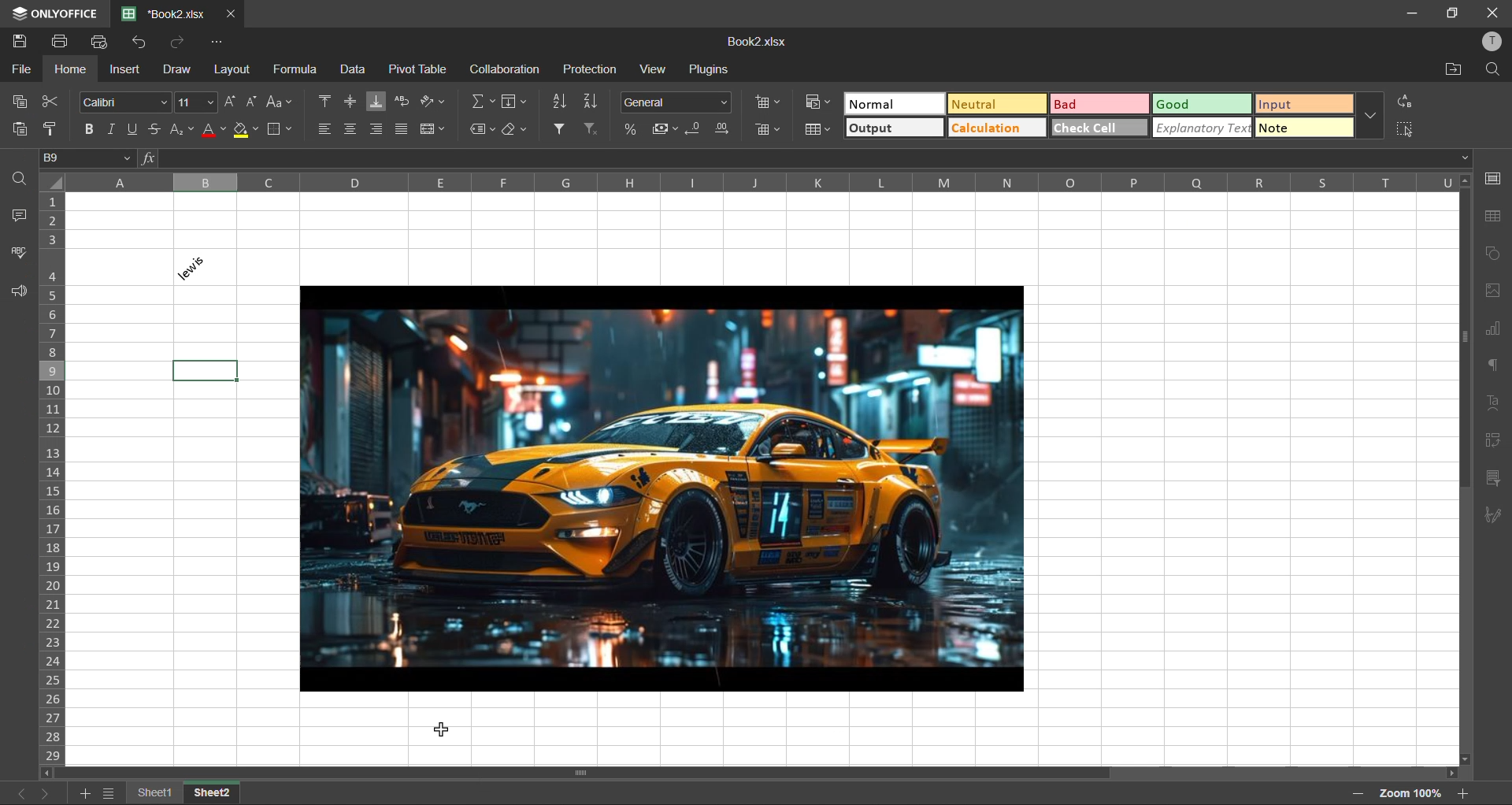  What do you see at coordinates (1304, 104) in the screenshot?
I see `input` at bounding box center [1304, 104].